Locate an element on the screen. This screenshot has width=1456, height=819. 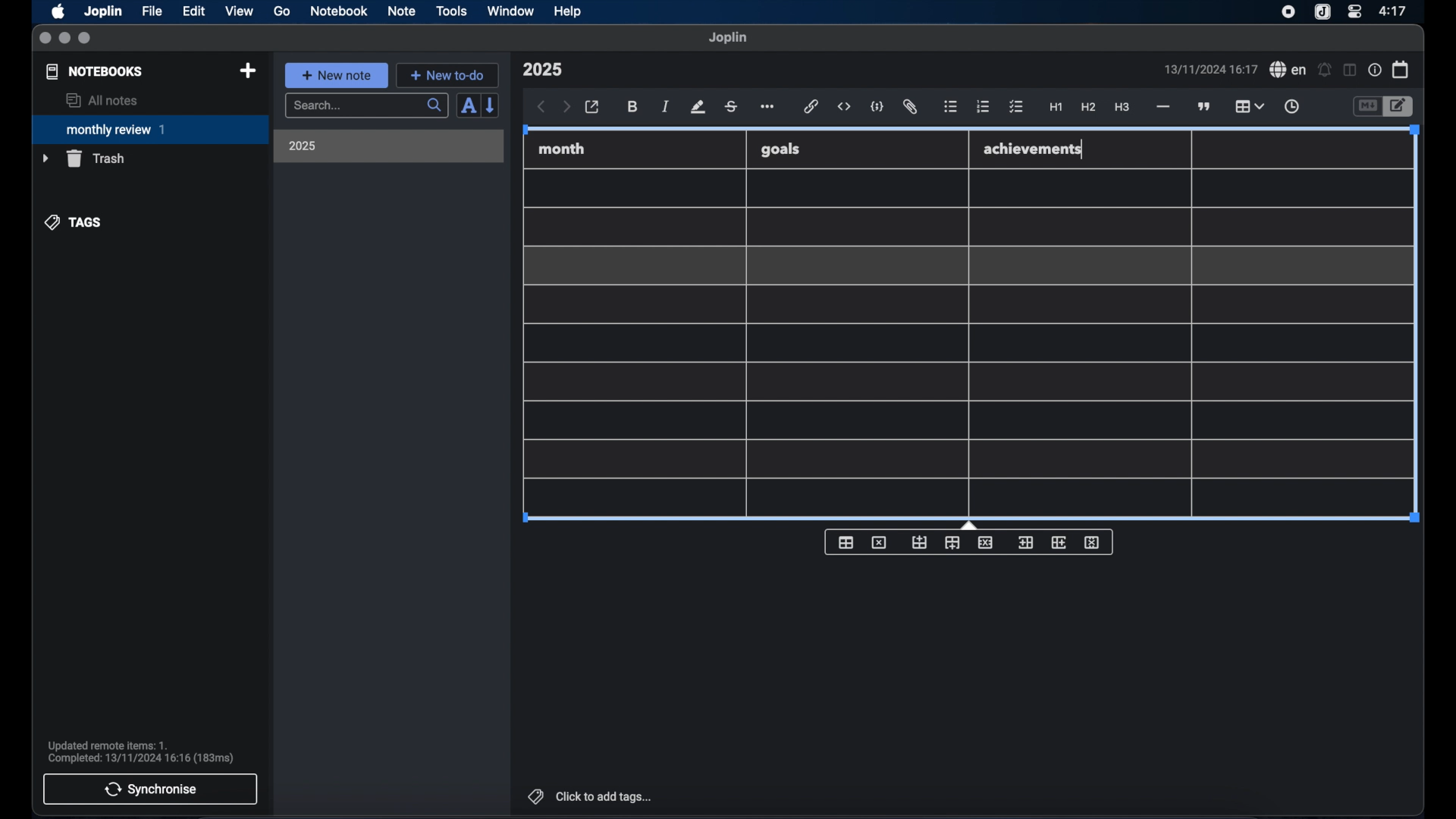
insert row before is located at coordinates (920, 543).